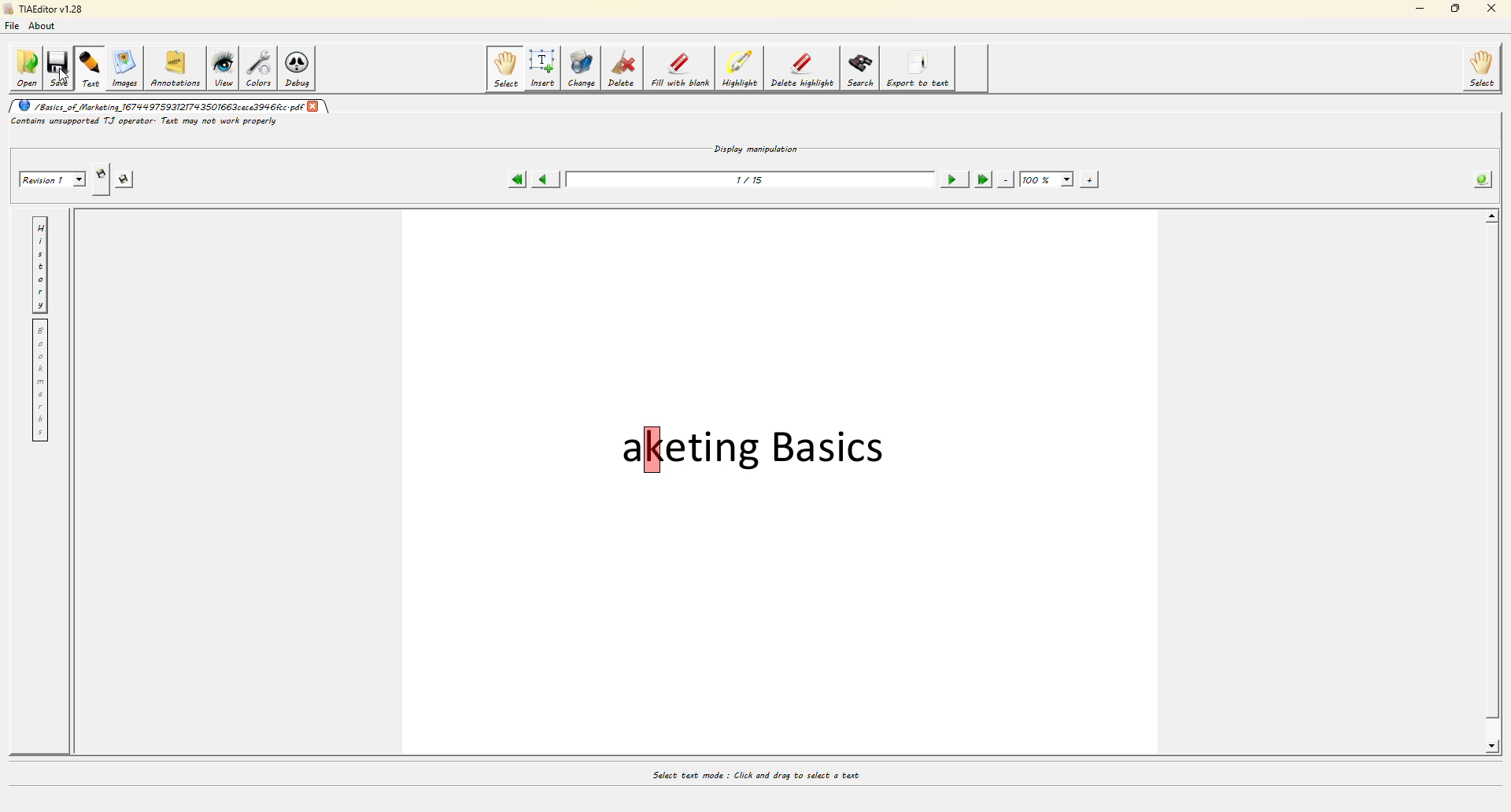 This screenshot has width=1511, height=812. What do you see at coordinates (801, 69) in the screenshot?
I see `delete highlight` at bounding box center [801, 69].